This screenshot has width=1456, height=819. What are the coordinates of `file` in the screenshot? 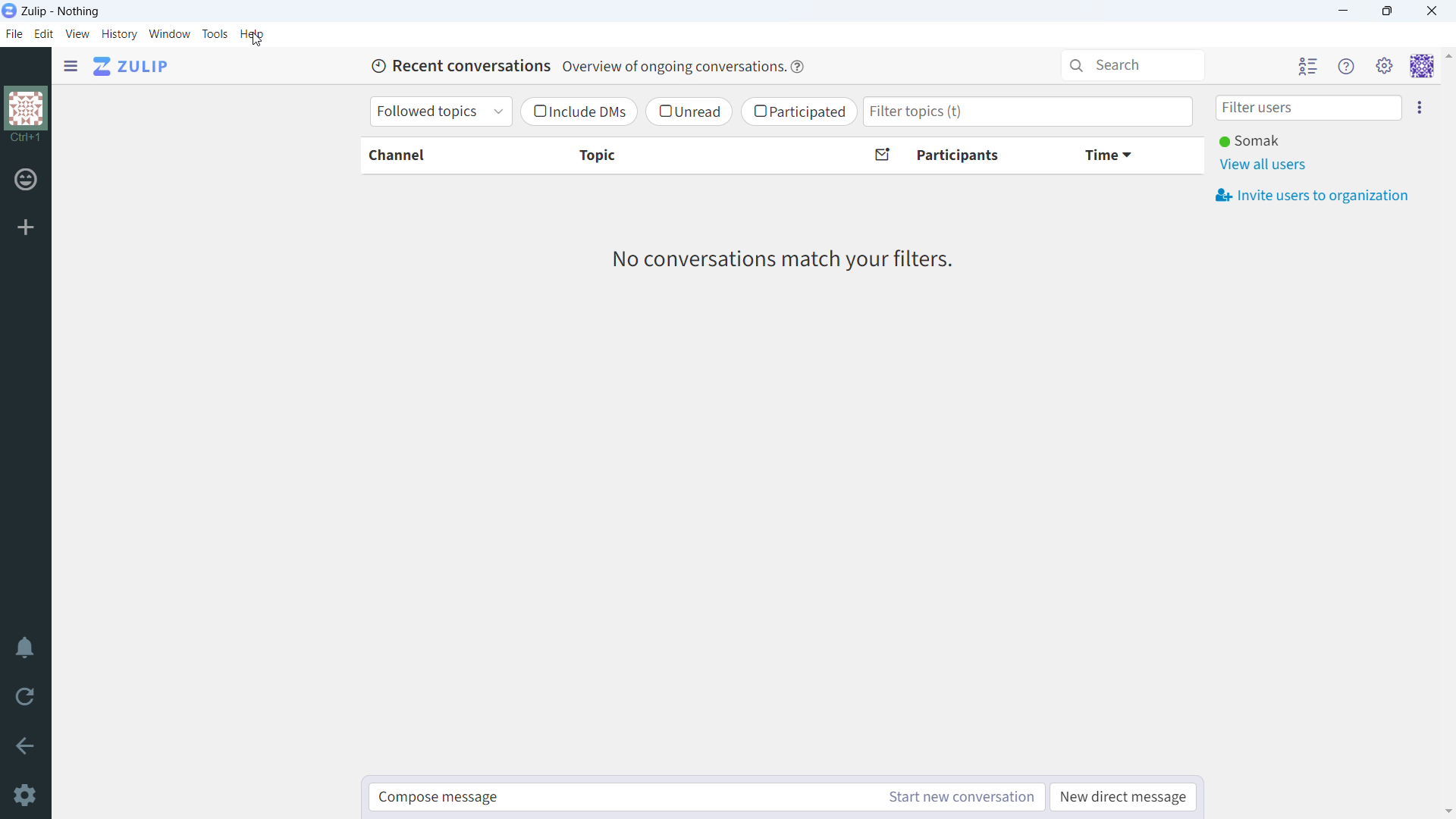 It's located at (14, 36).